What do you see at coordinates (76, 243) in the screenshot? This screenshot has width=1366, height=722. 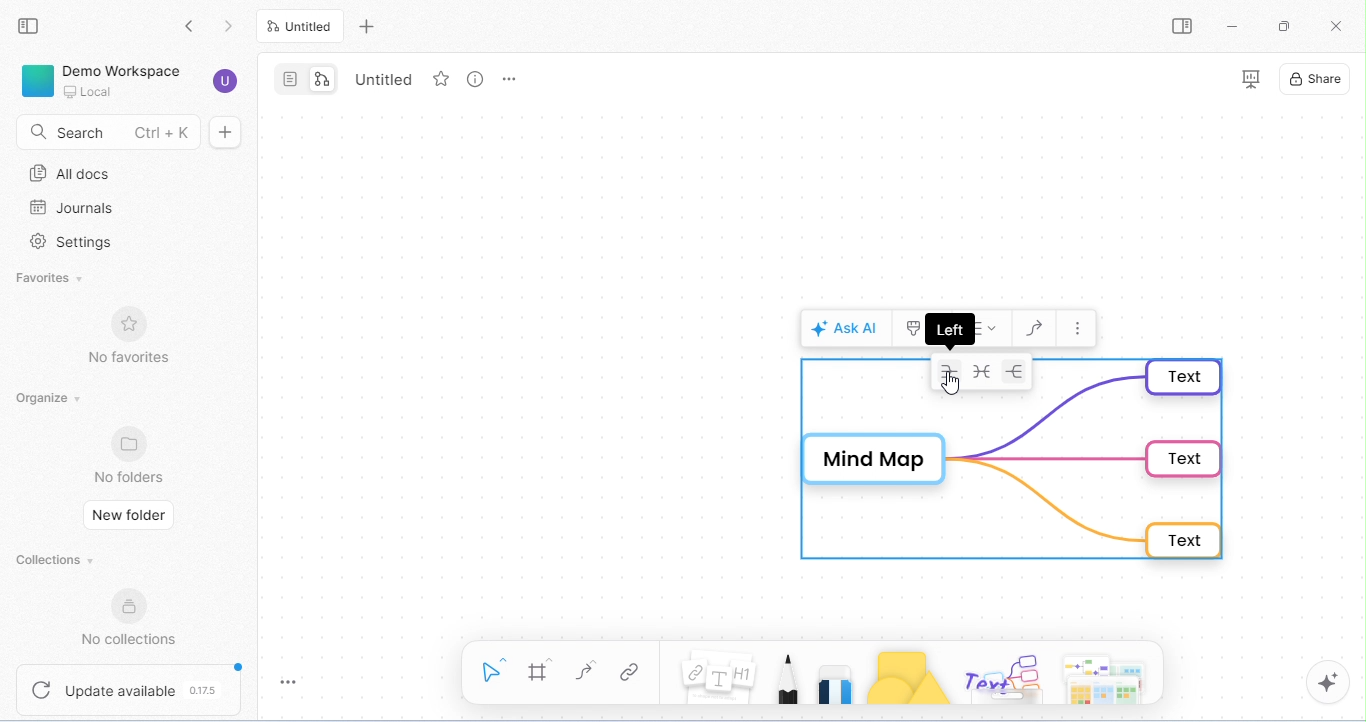 I see `settings` at bounding box center [76, 243].